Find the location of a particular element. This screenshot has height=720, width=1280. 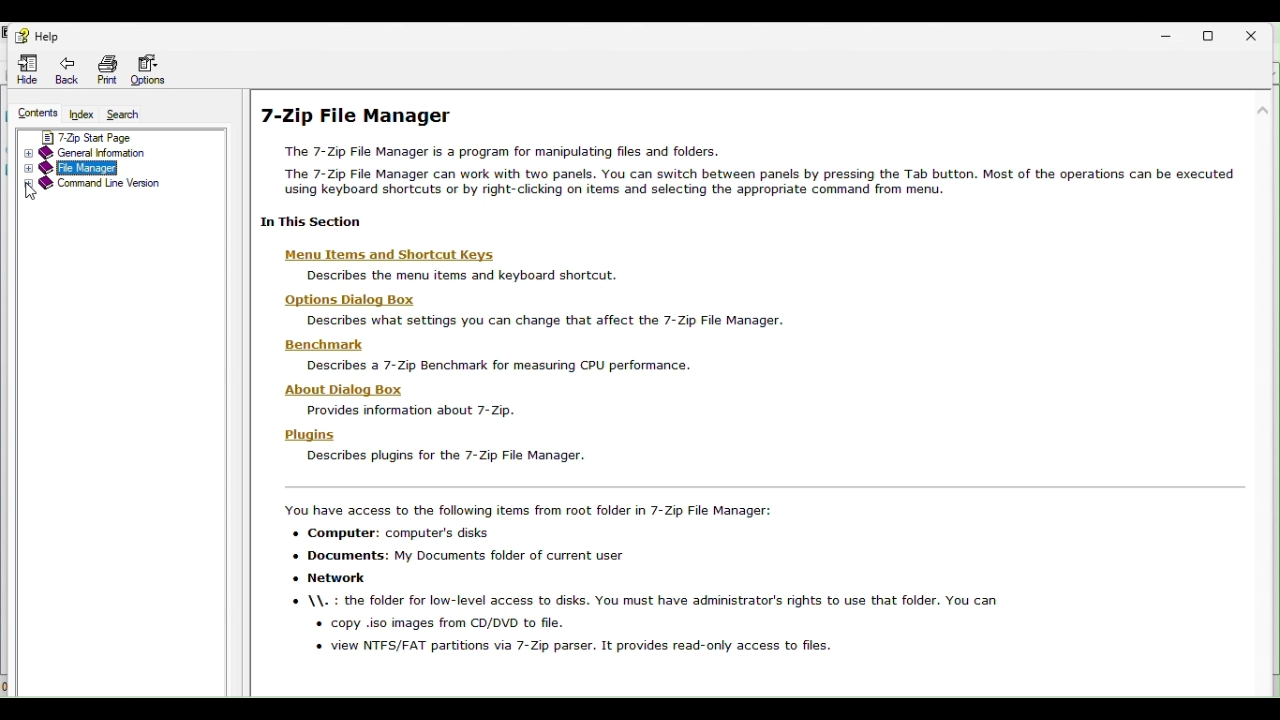

| In This Section is located at coordinates (320, 221).